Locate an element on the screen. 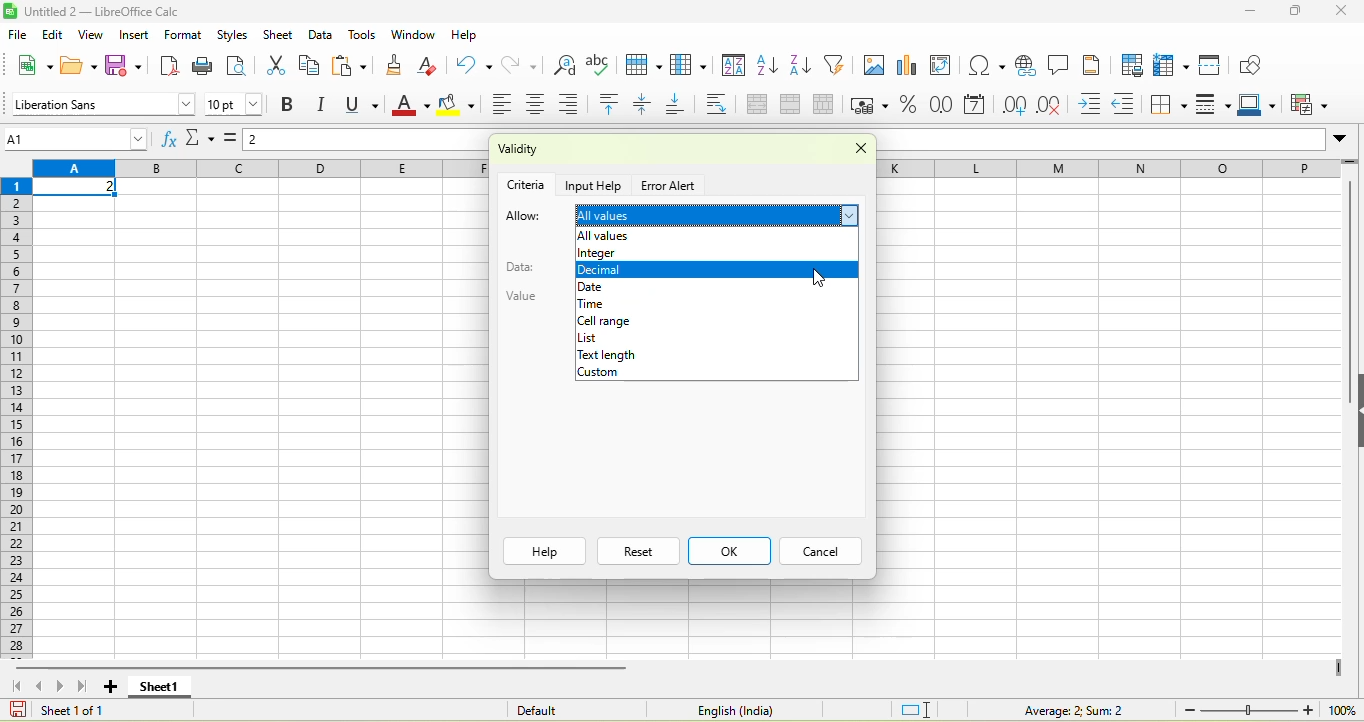  custom is located at coordinates (714, 373).